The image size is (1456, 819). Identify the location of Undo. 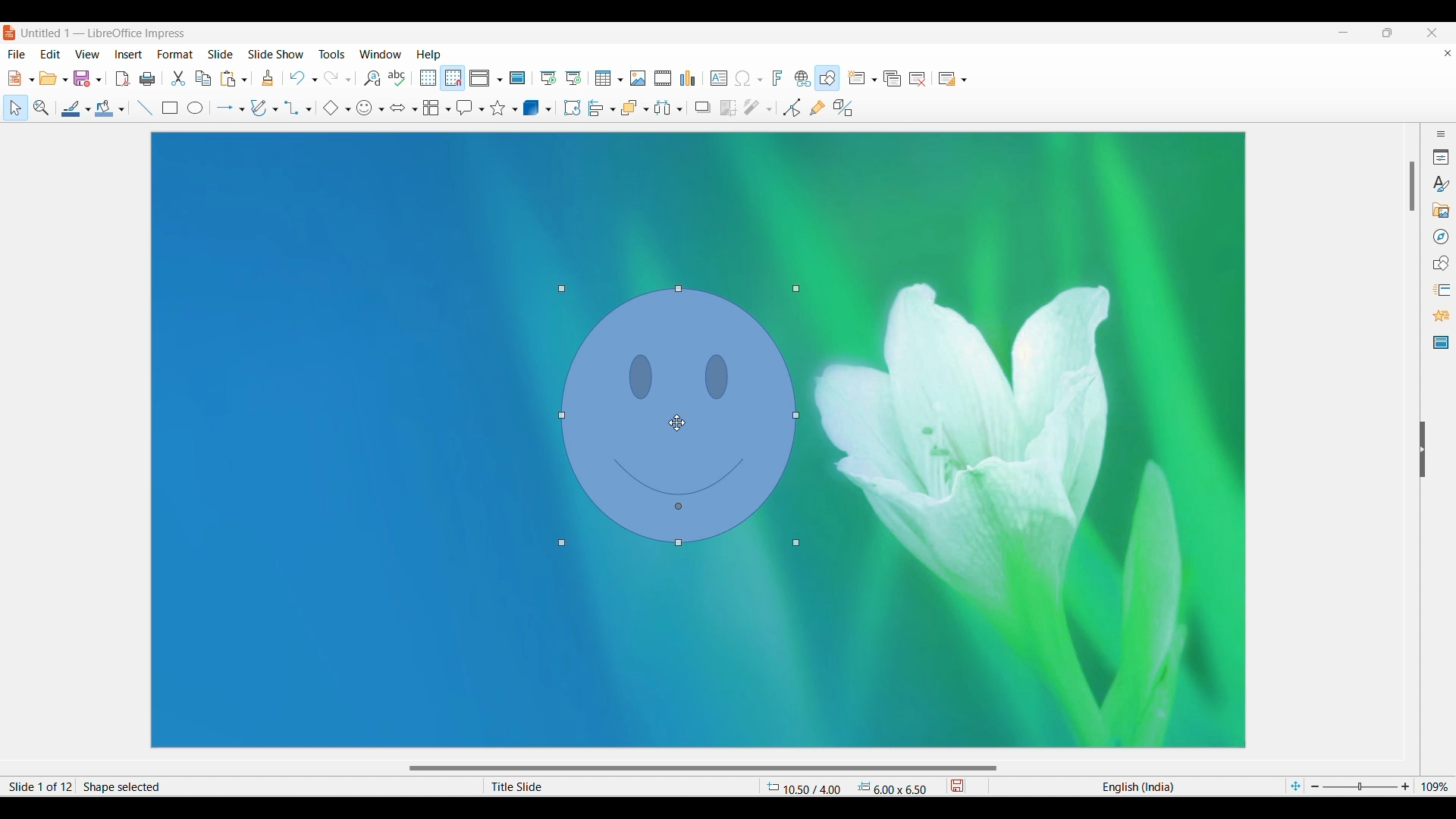
(297, 78).